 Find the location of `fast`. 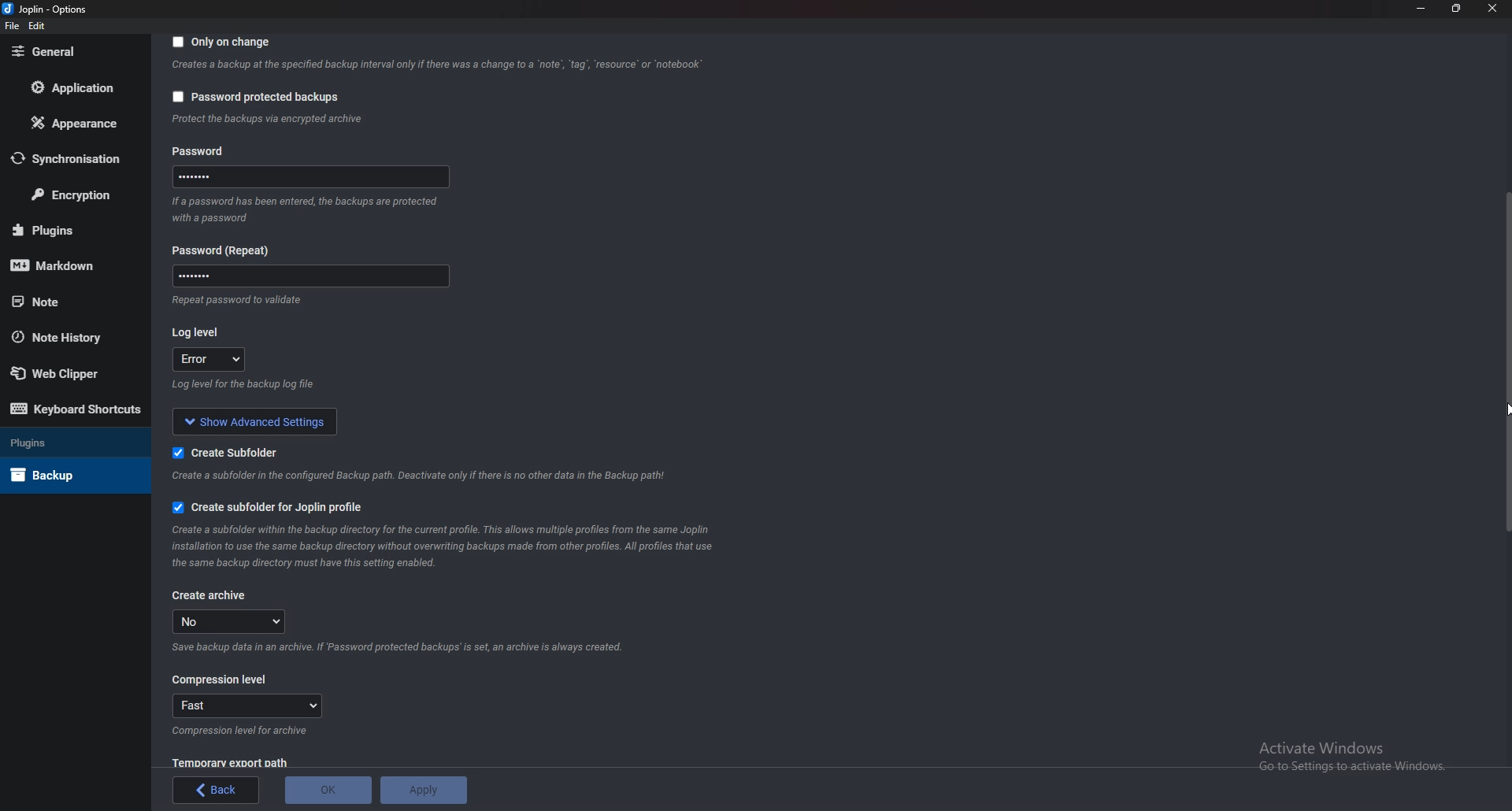

fast is located at coordinates (249, 705).